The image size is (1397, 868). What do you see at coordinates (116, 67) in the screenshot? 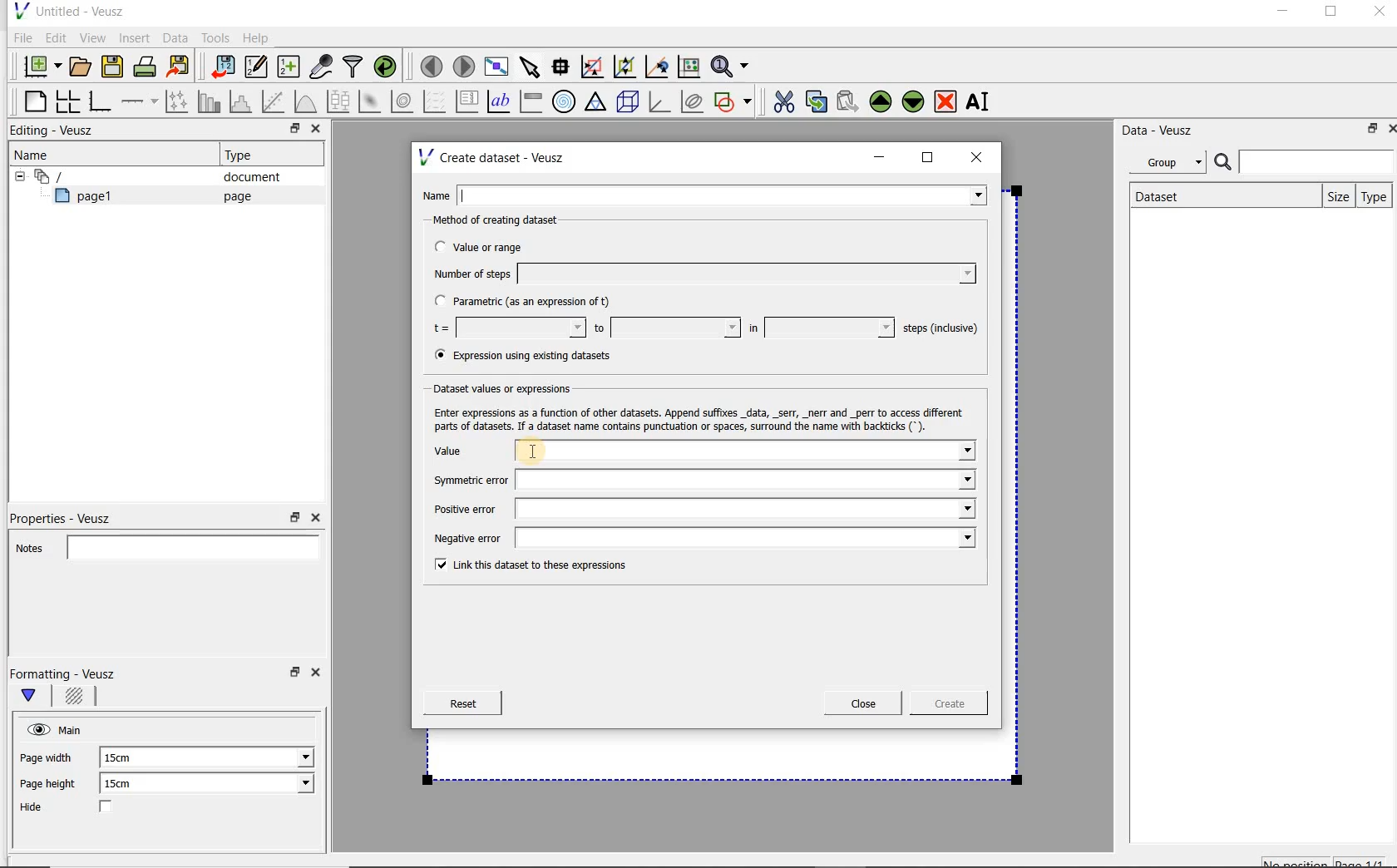
I see `save the document` at bounding box center [116, 67].